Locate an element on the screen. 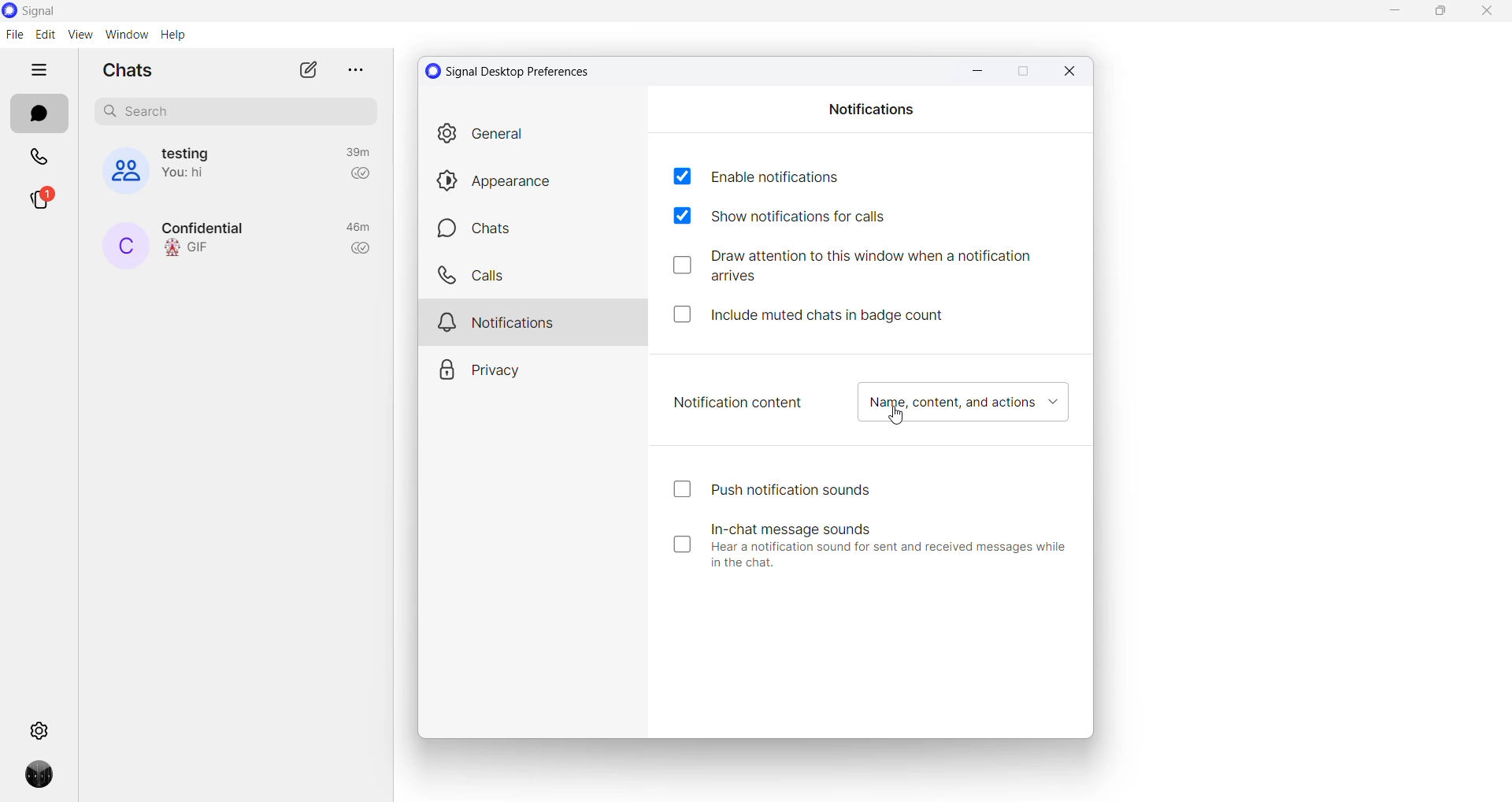 This screenshot has height=802, width=1512. calls is located at coordinates (39, 158).